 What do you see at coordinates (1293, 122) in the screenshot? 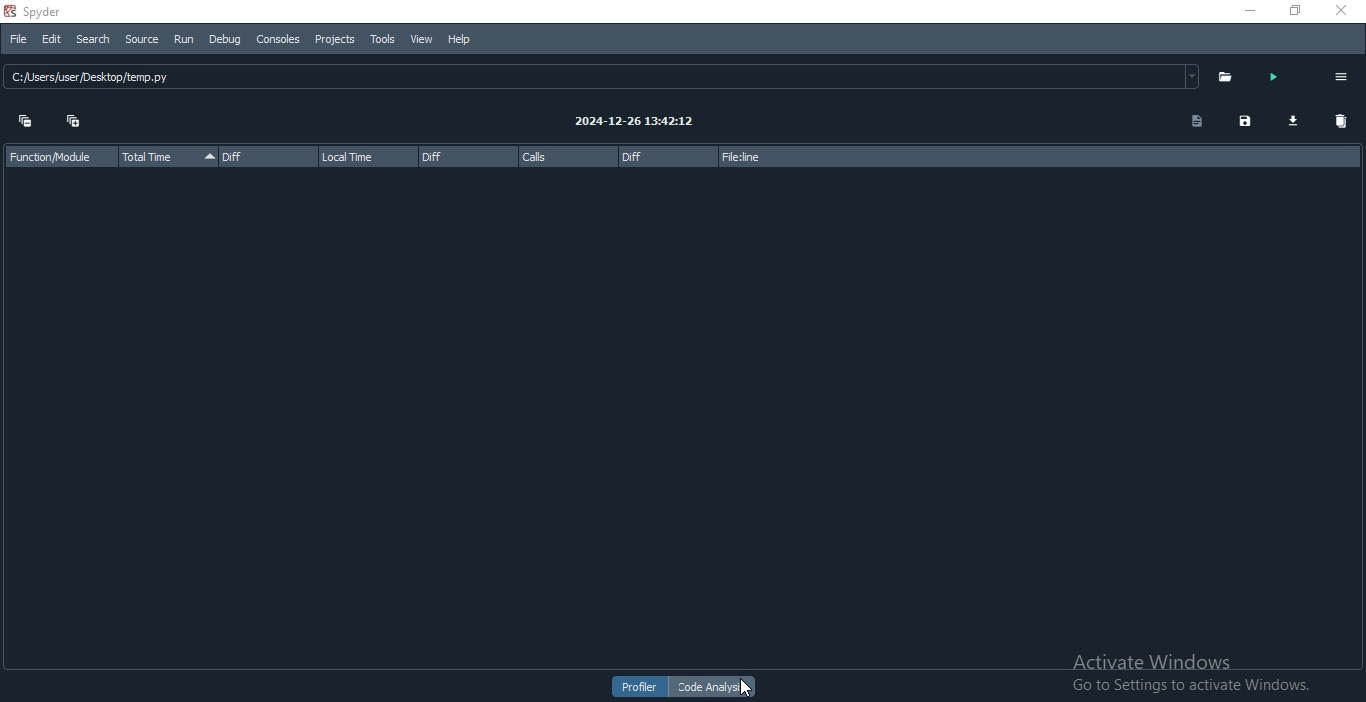
I see `download` at bounding box center [1293, 122].